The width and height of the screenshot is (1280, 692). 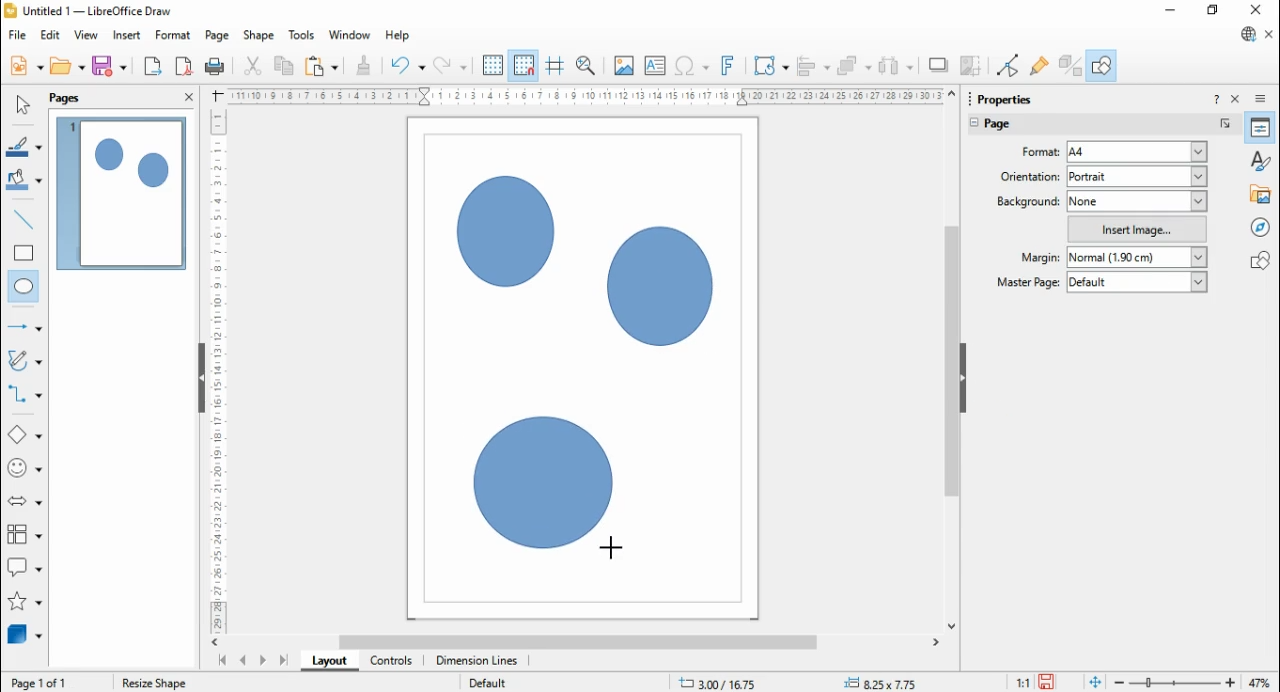 I want to click on open, so click(x=67, y=66).